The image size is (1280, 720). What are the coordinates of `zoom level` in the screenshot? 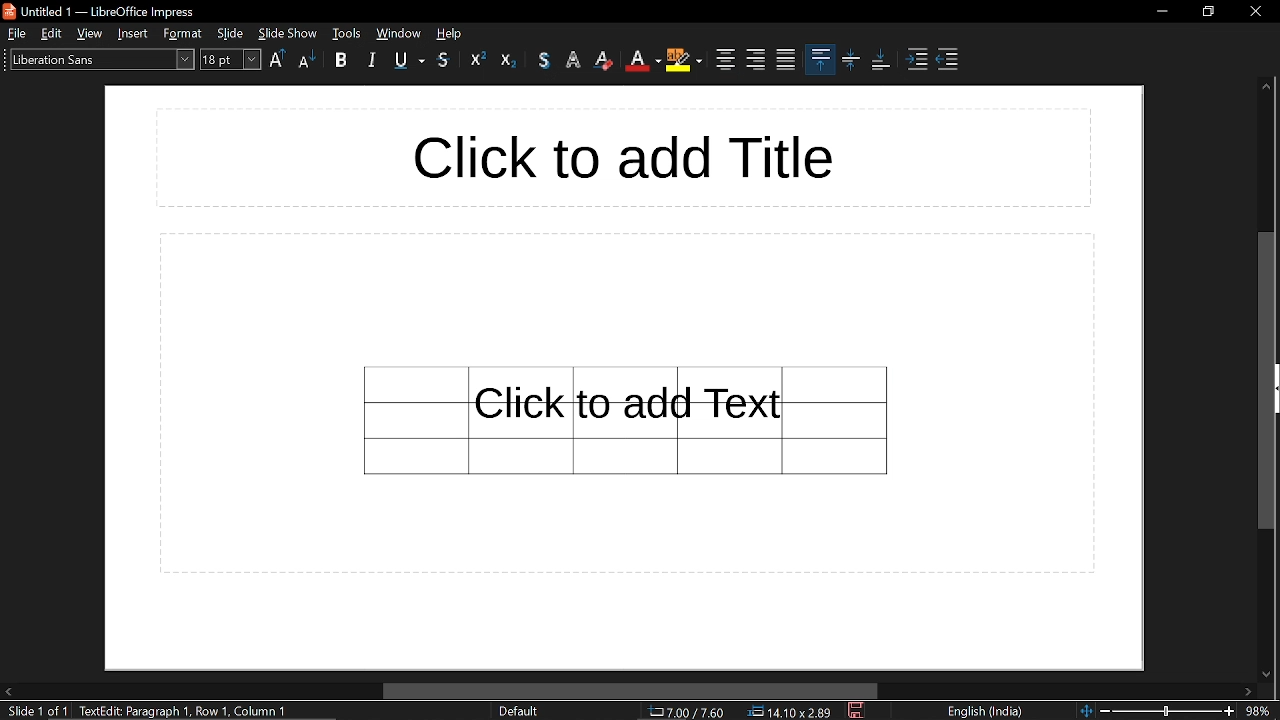 It's located at (1260, 710).